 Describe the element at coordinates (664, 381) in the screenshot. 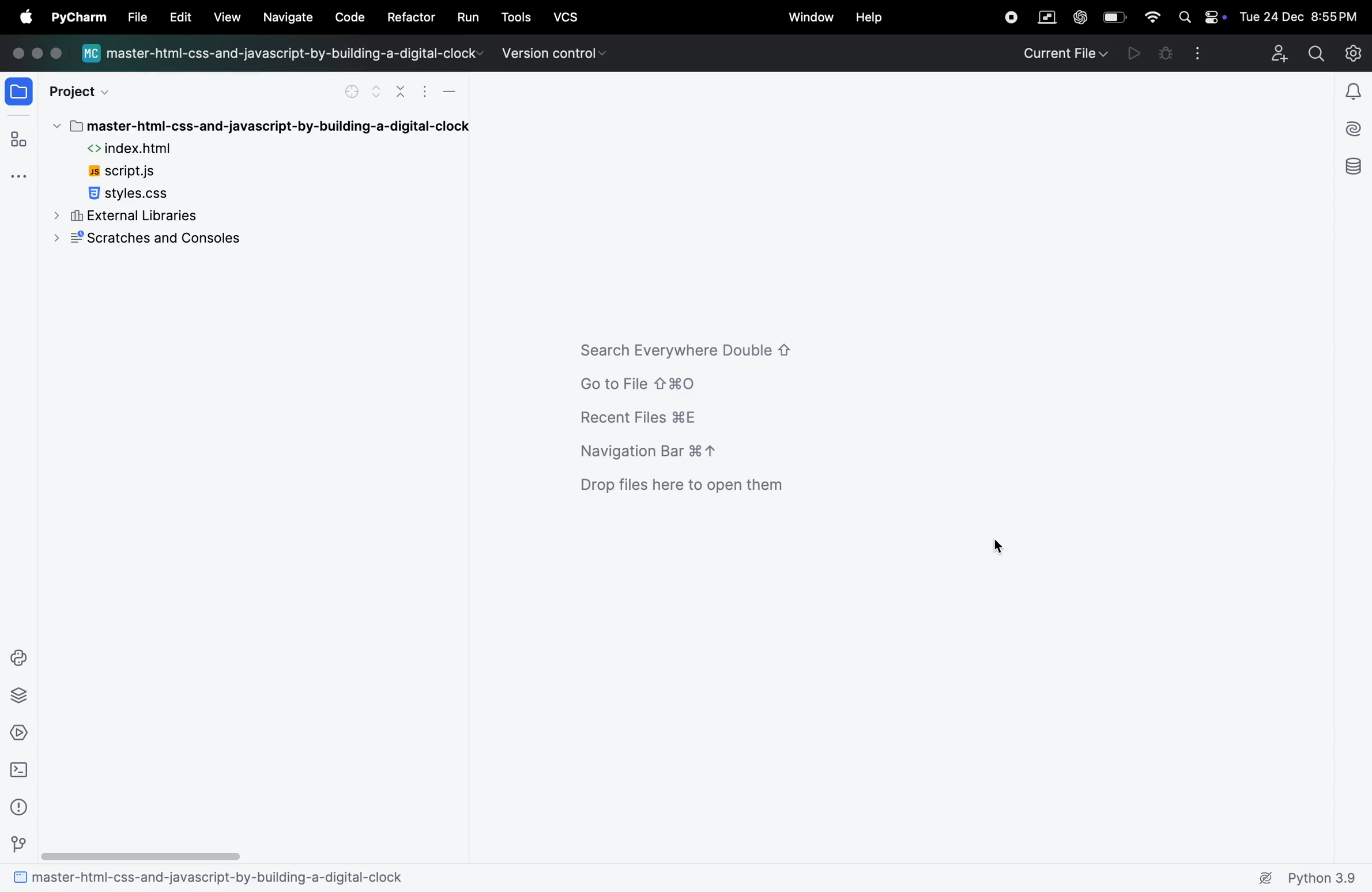

I see `go to file` at that location.